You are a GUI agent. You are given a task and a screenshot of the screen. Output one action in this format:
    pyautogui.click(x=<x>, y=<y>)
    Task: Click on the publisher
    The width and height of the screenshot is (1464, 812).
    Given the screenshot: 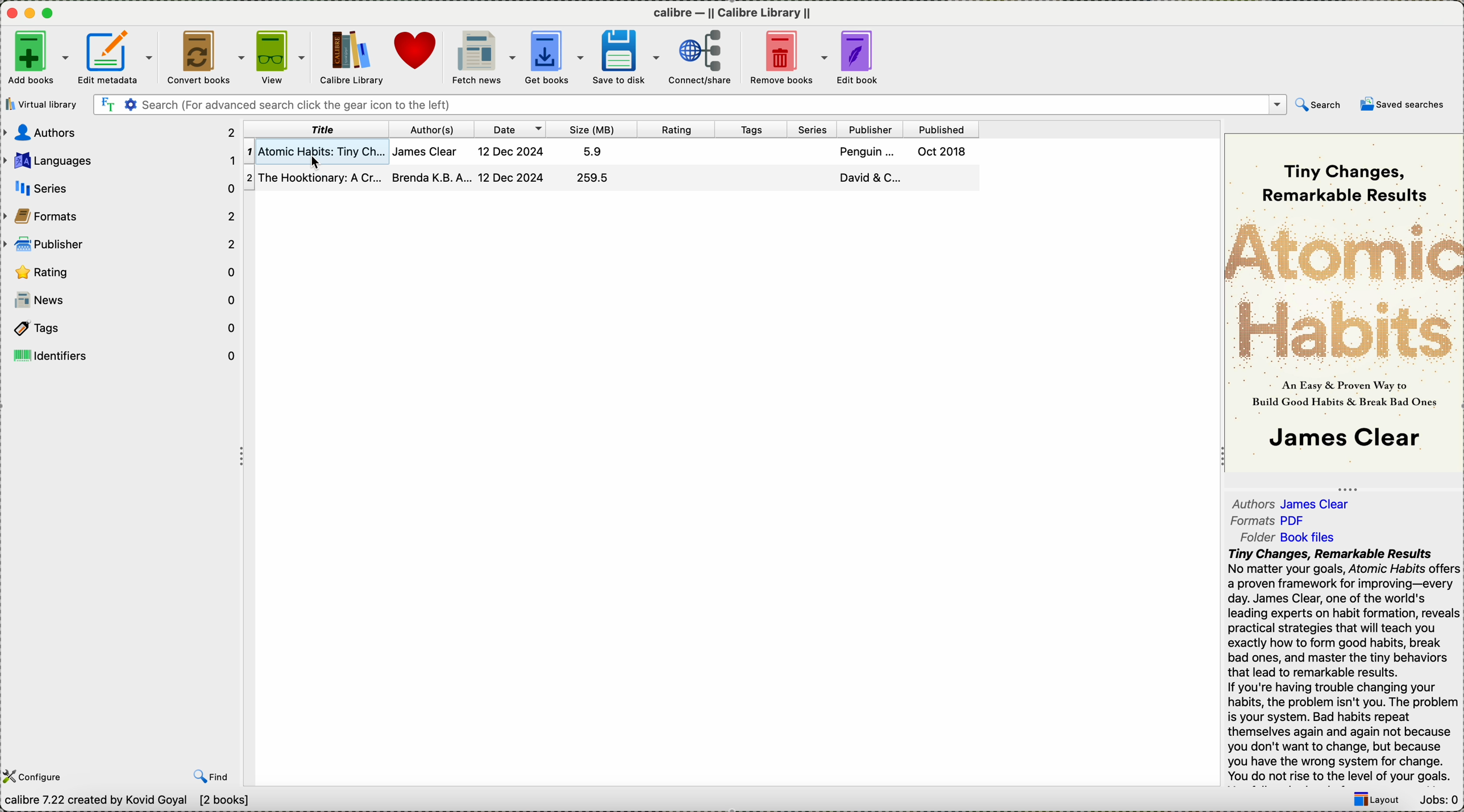 What is the action you would take?
    pyautogui.click(x=870, y=130)
    